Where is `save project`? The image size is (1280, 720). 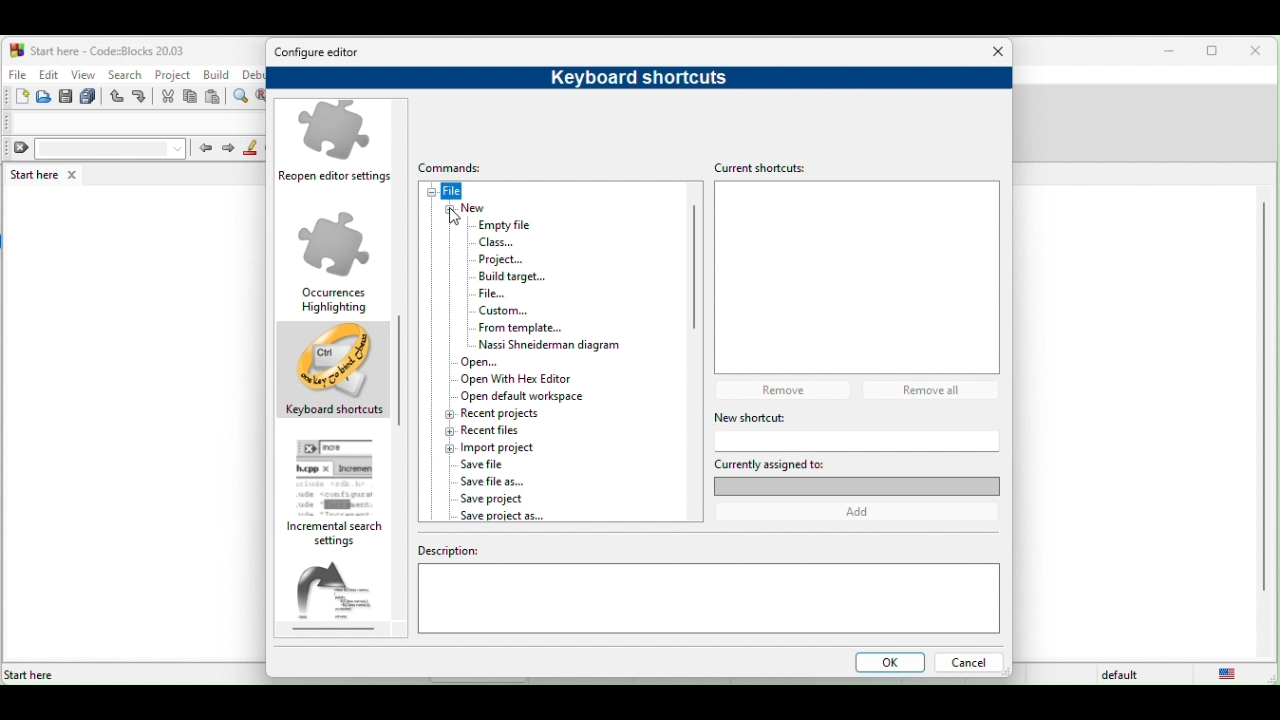
save project is located at coordinates (505, 499).